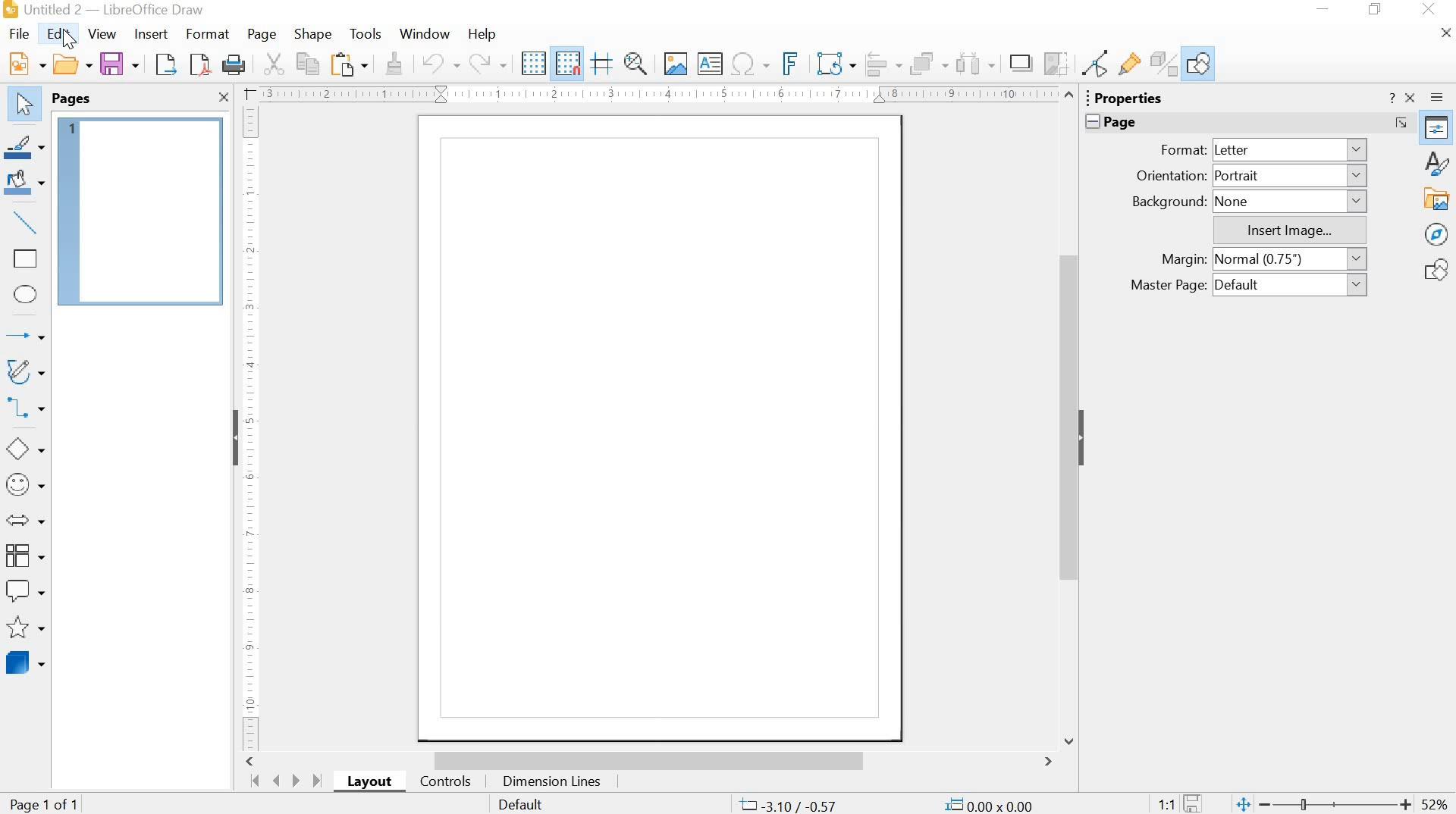  What do you see at coordinates (554, 783) in the screenshot?
I see `Dimension Lines` at bounding box center [554, 783].